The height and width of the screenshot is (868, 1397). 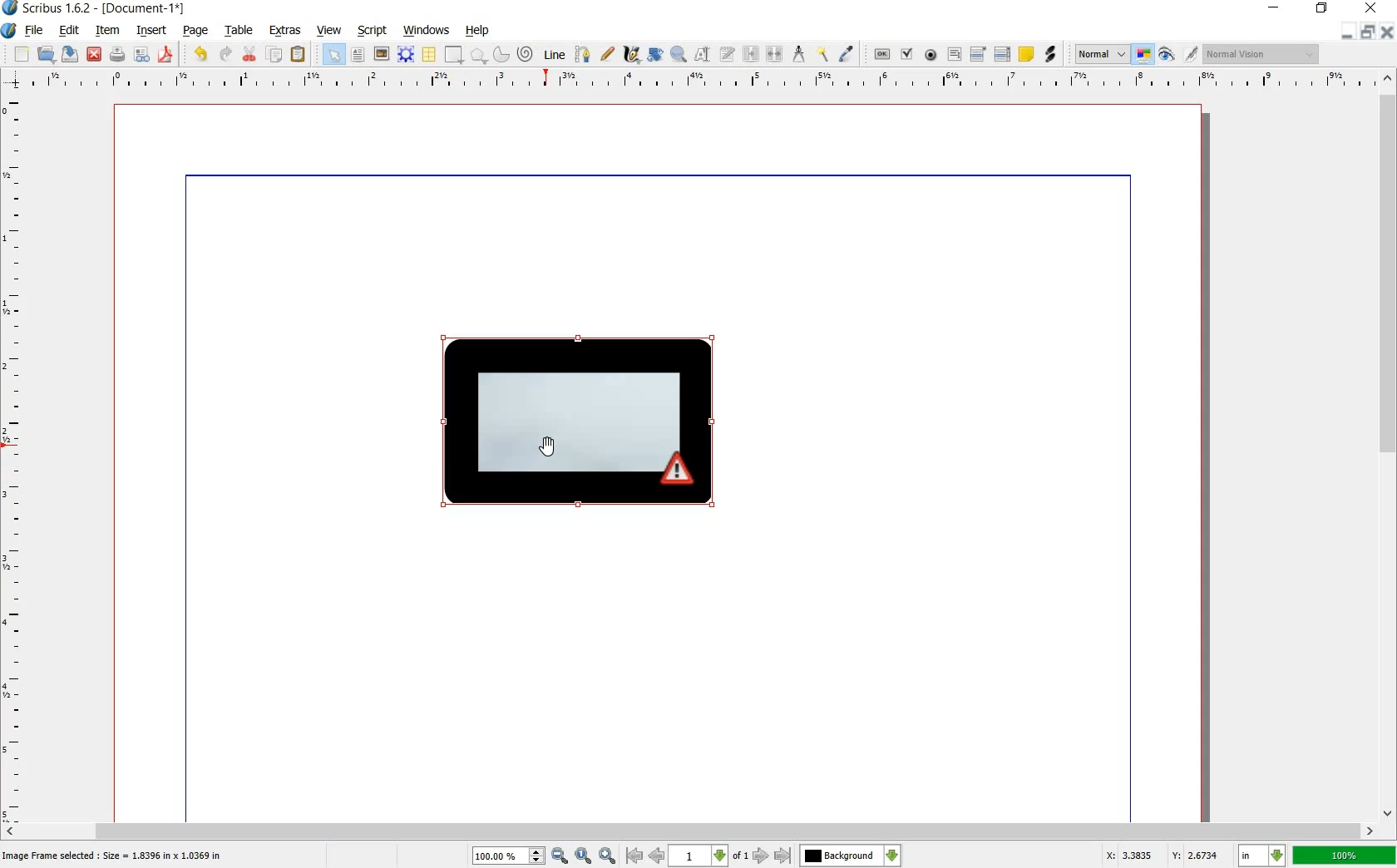 I want to click on script, so click(x=371, y=29).